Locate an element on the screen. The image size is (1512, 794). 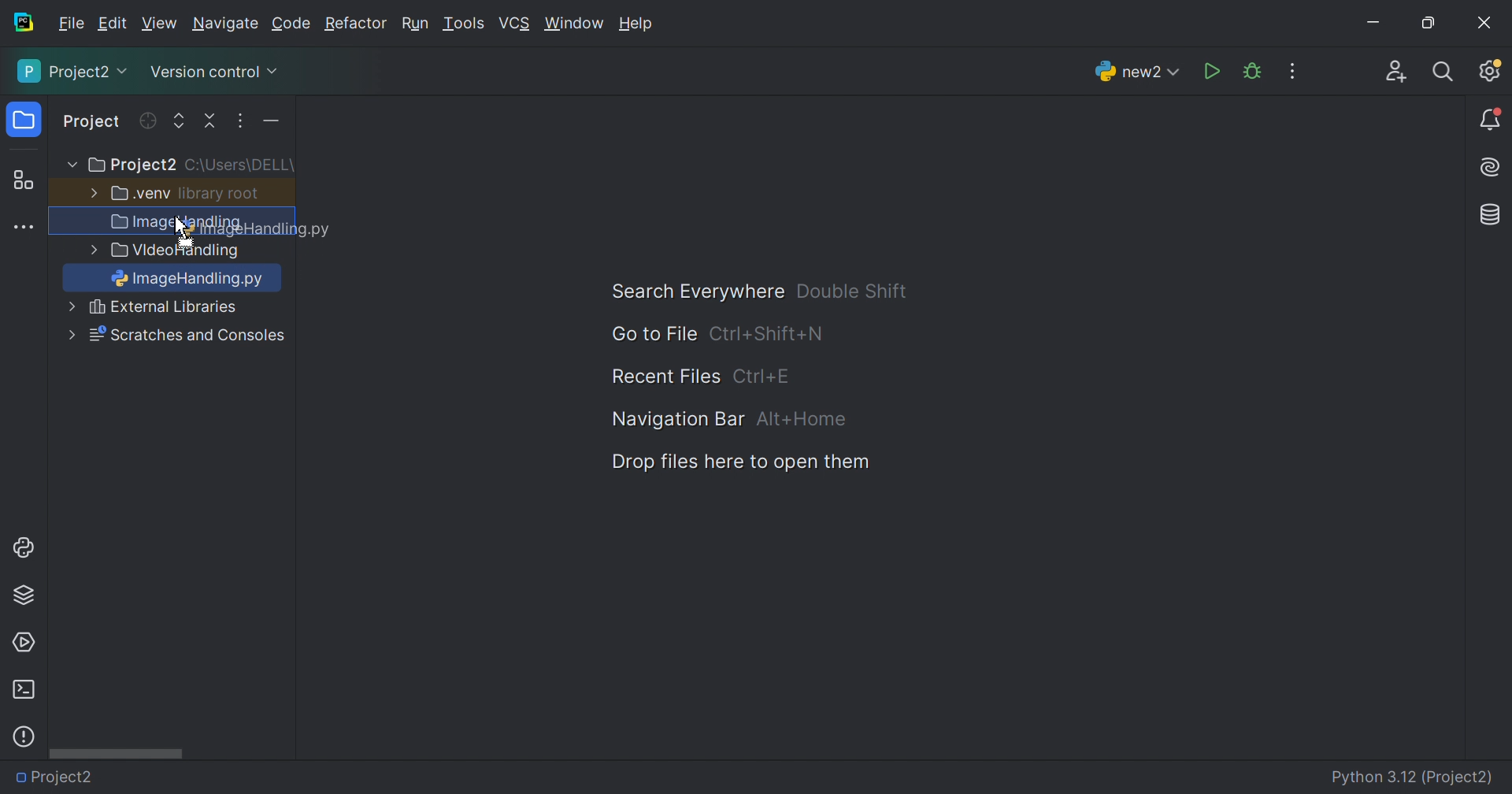
Project icon is located at coordinates (26, 121).